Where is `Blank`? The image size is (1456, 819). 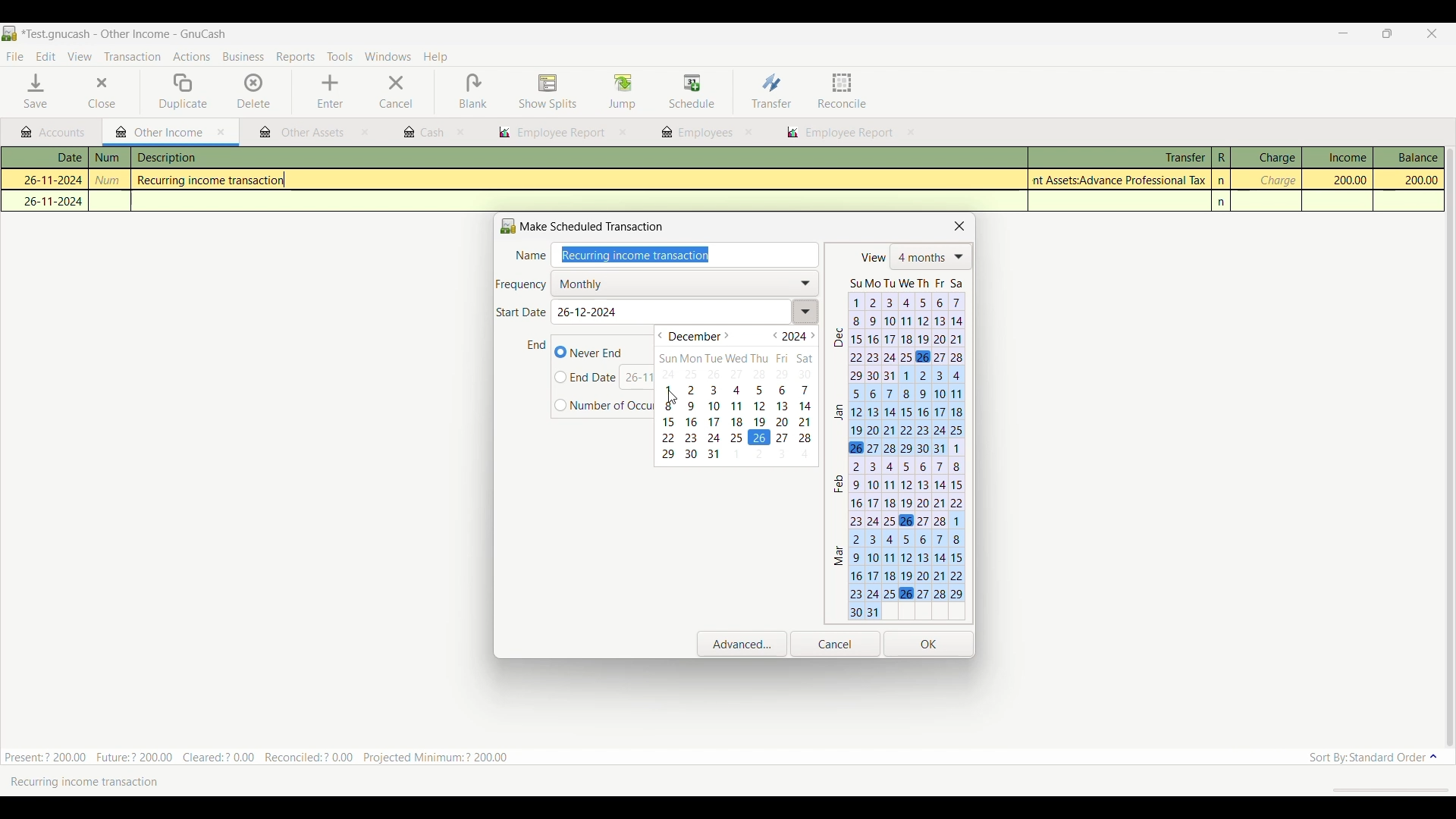 Blank is located at coordinates (472, 92).